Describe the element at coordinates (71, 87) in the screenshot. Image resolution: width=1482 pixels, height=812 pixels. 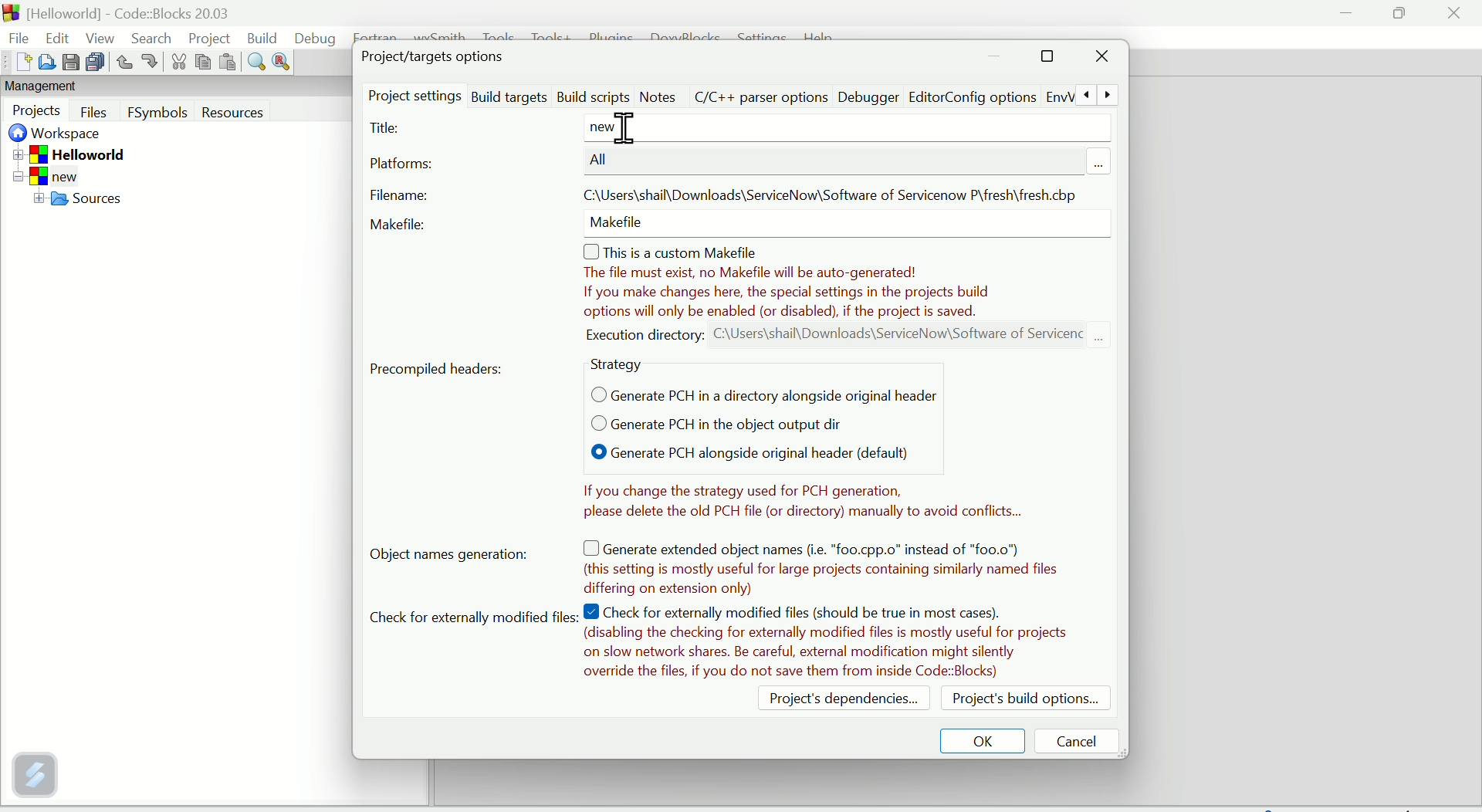
I see `Management` at that location.